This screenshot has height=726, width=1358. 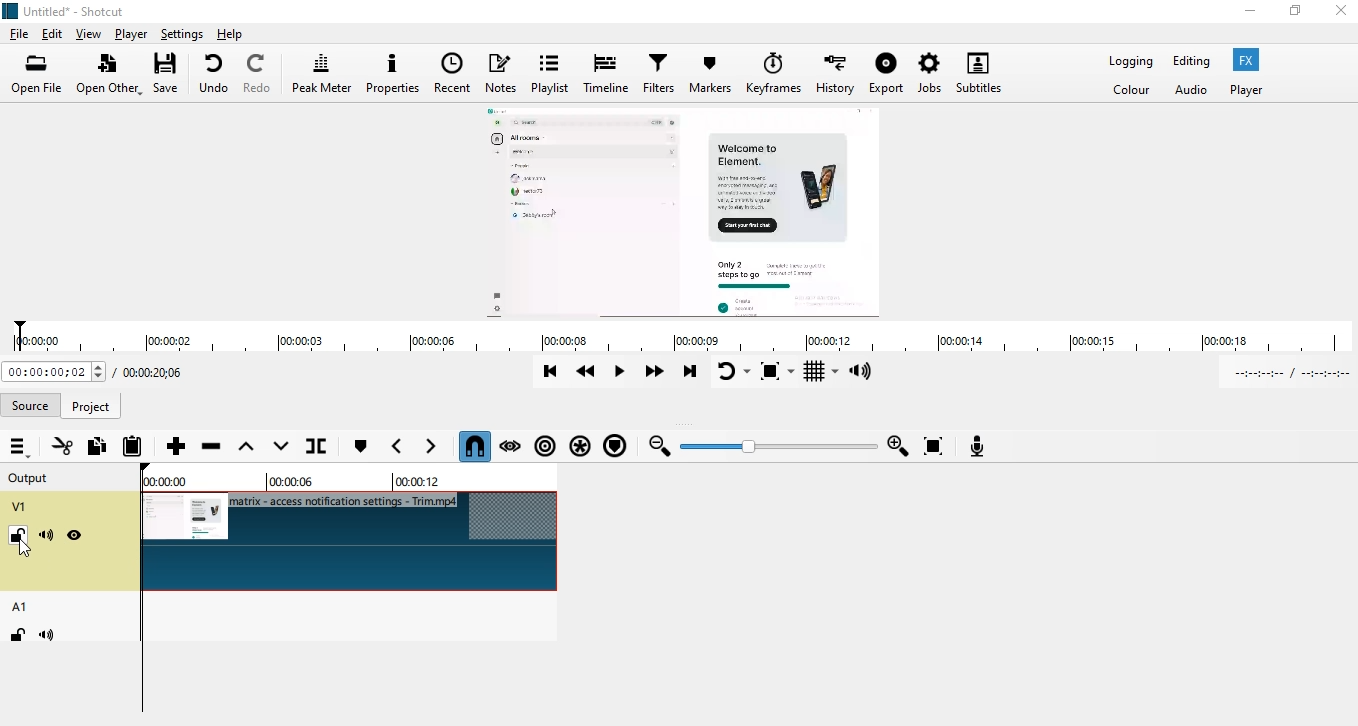 I want to click on player, so click(x=1255, y=90).